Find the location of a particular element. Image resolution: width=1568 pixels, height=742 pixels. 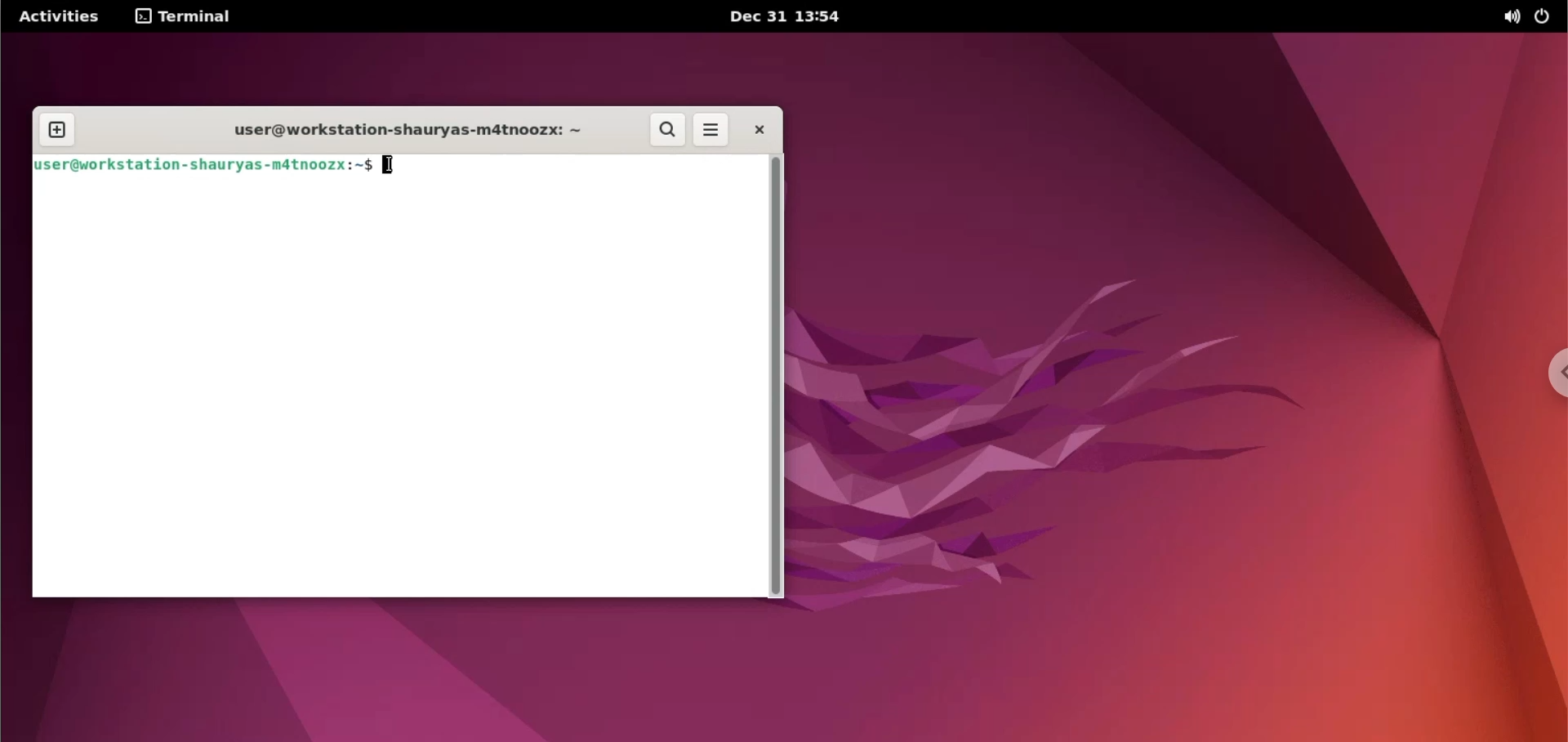

new tab is located at coordinates (56, 131).